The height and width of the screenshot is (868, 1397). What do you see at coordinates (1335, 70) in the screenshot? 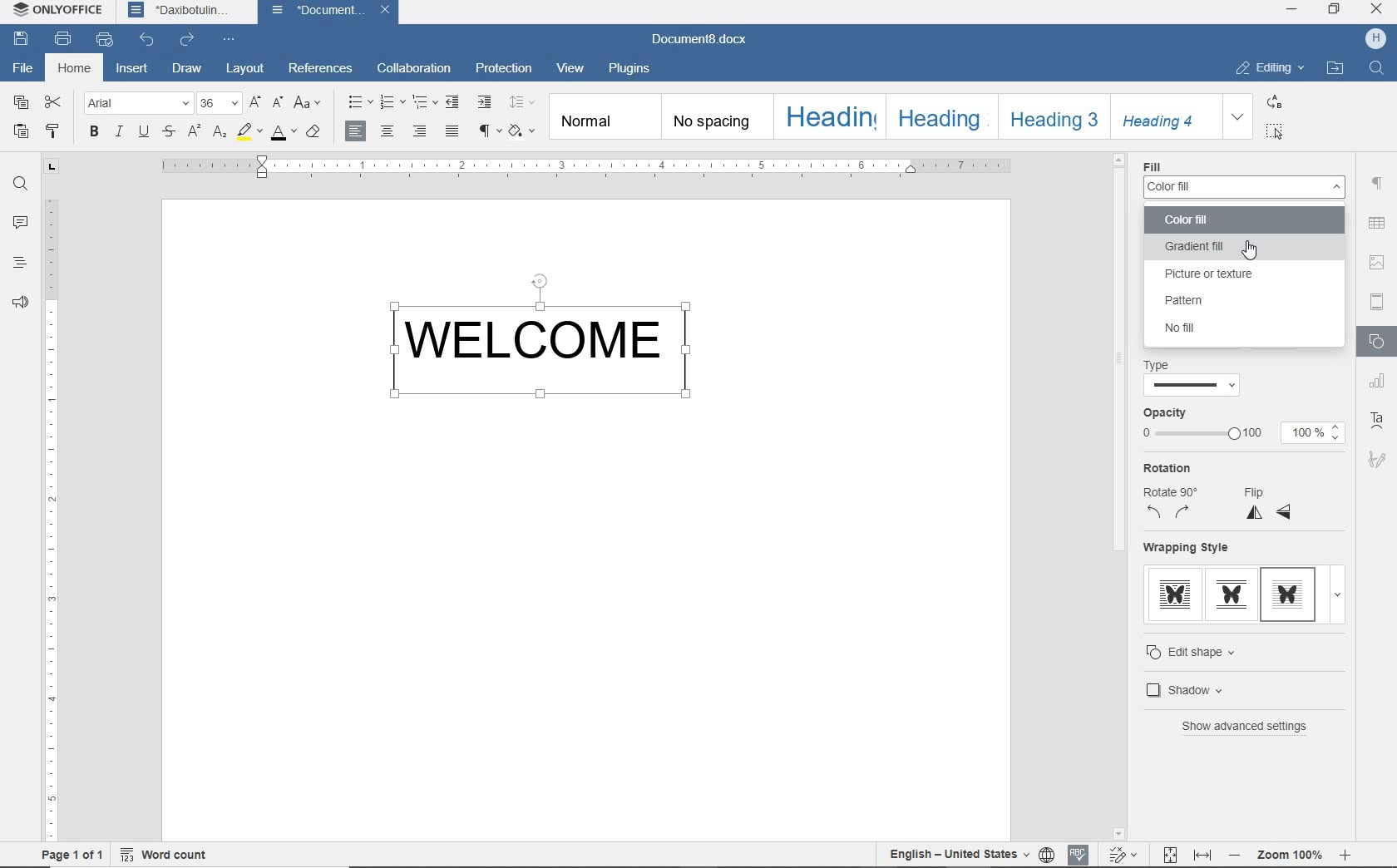
I see `OPEN FILE LOCATION` at bounding box center [1335, 70].